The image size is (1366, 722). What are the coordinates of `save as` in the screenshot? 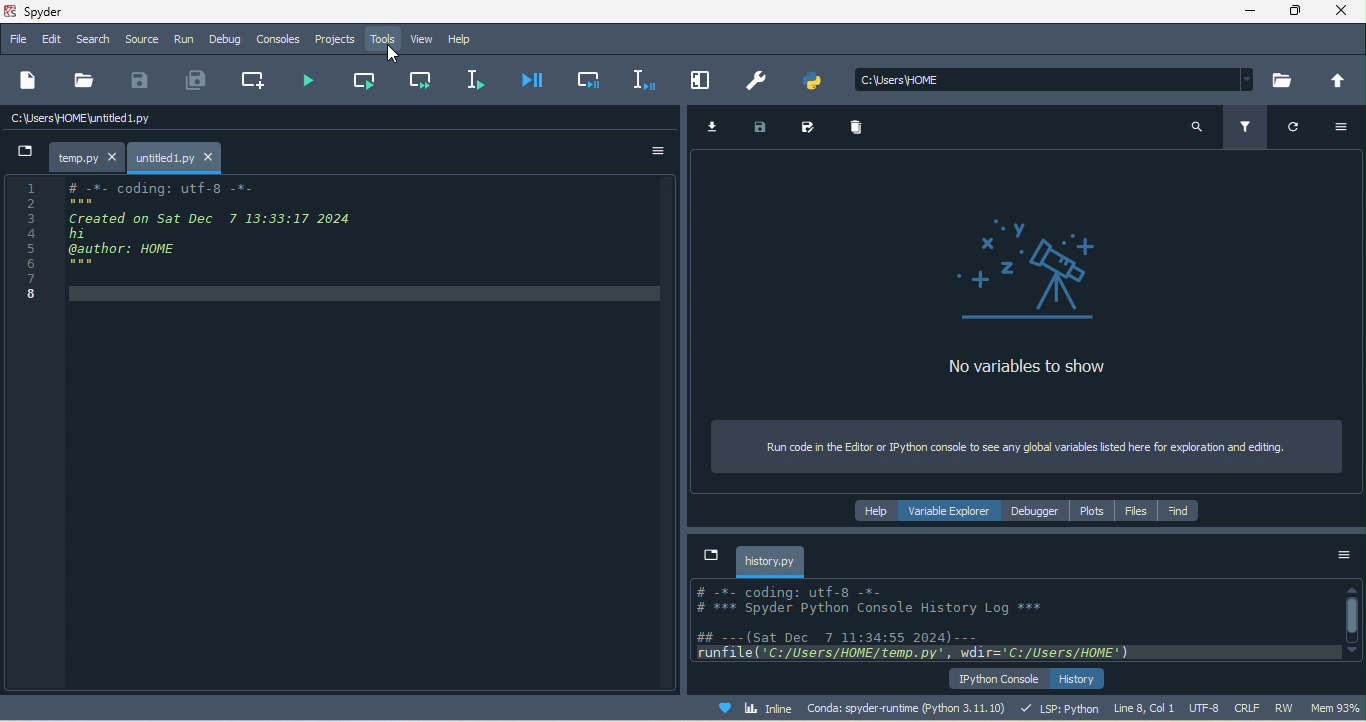 It's located at (815, 127).